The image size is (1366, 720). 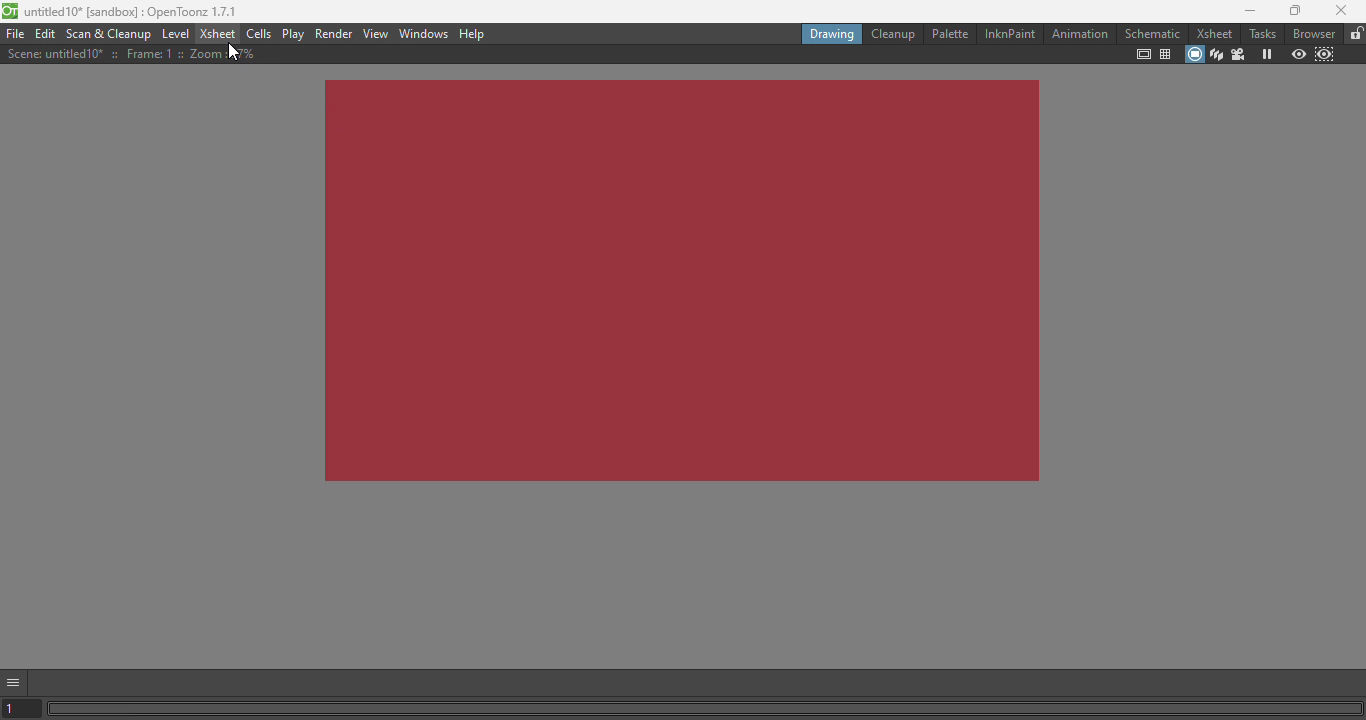 I want to click on Horizontal scroll bar, so click(x=706, y=711).